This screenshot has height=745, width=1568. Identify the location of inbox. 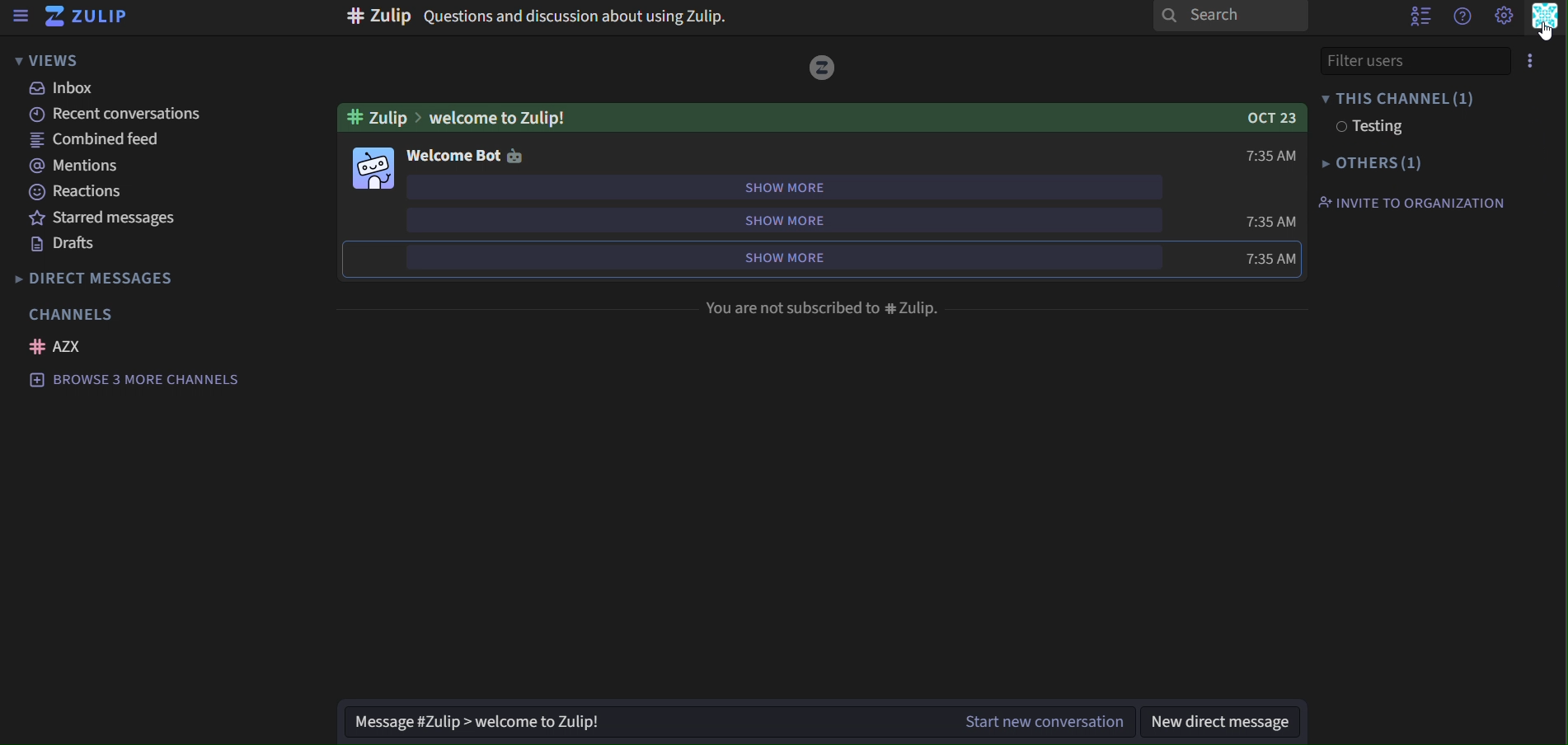
(63, 89).